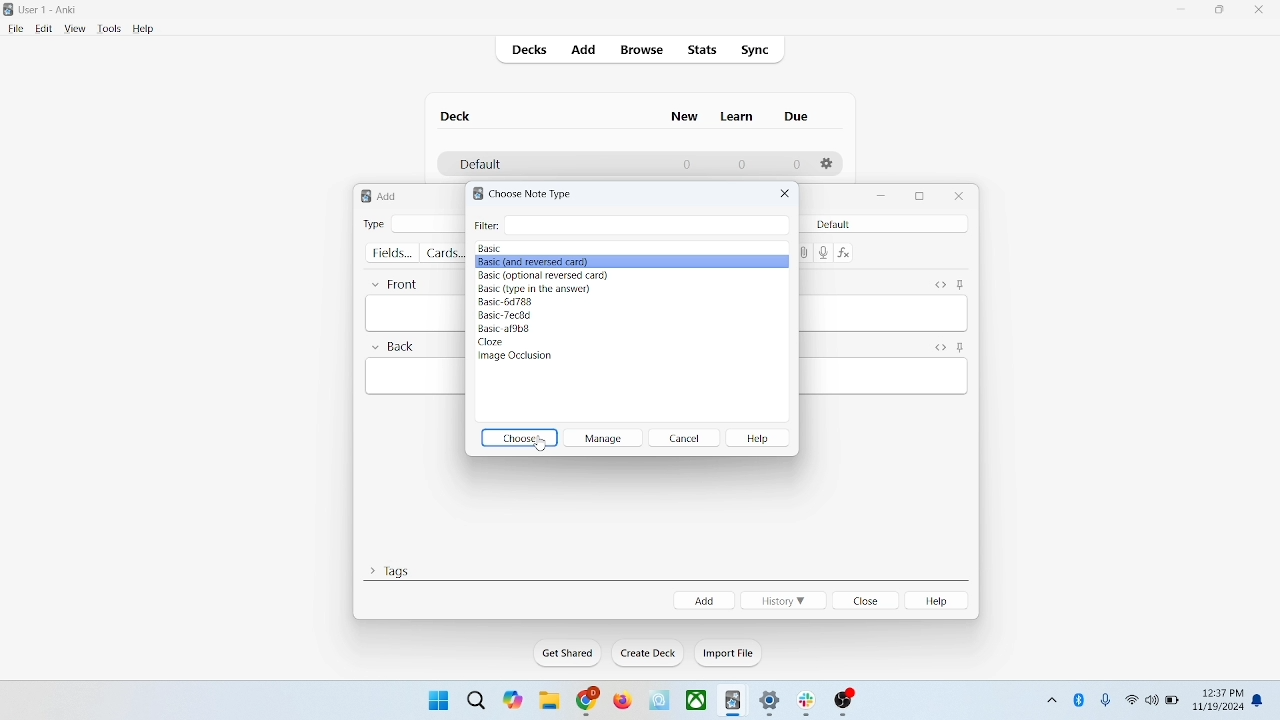  What do you see at coordinates (810, 704) in the screenshot?
I see `icon` at bounding box center [810, 704].